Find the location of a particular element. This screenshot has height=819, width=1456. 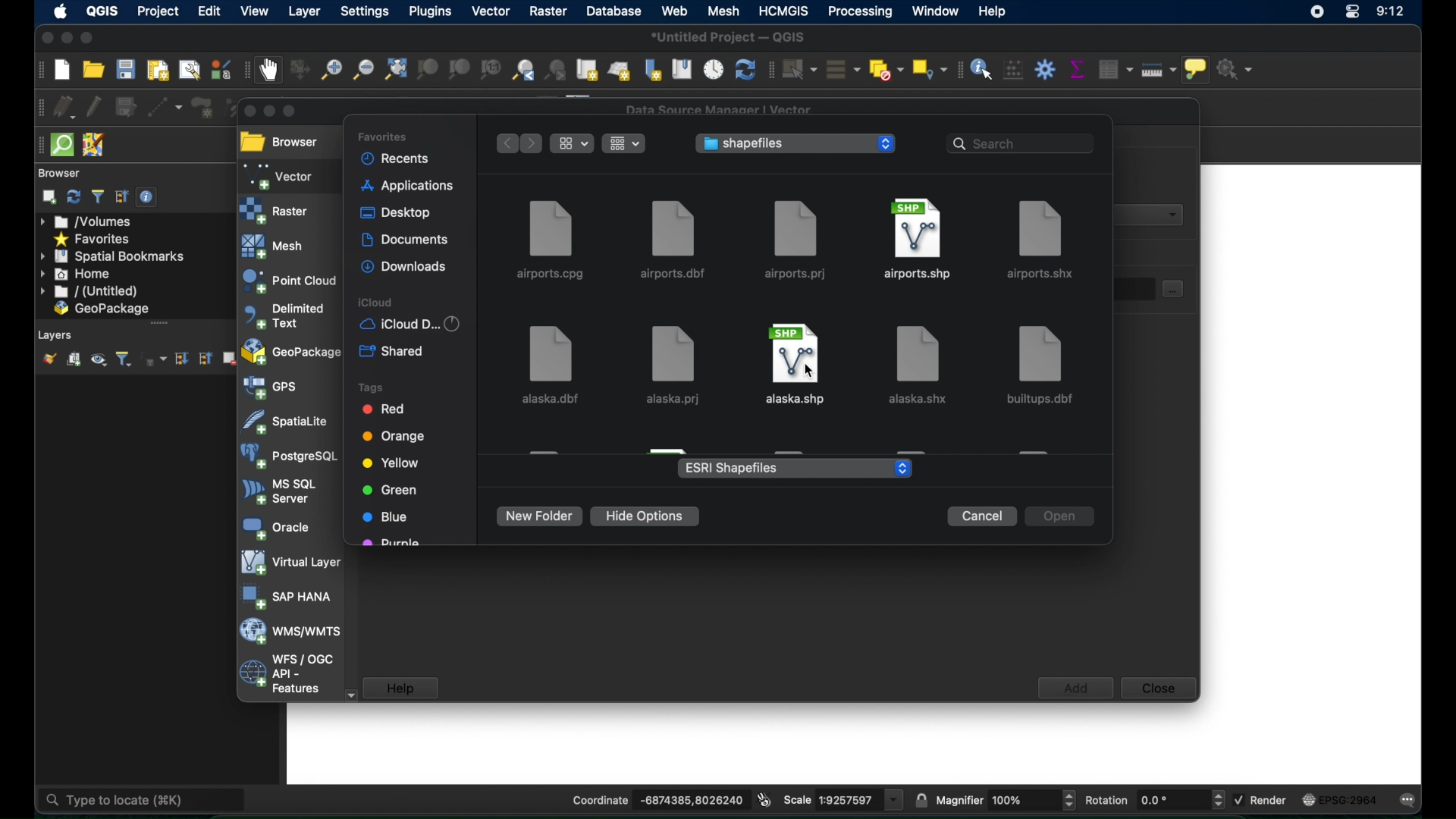

zoom to selection is located at coordinates (427, 71).